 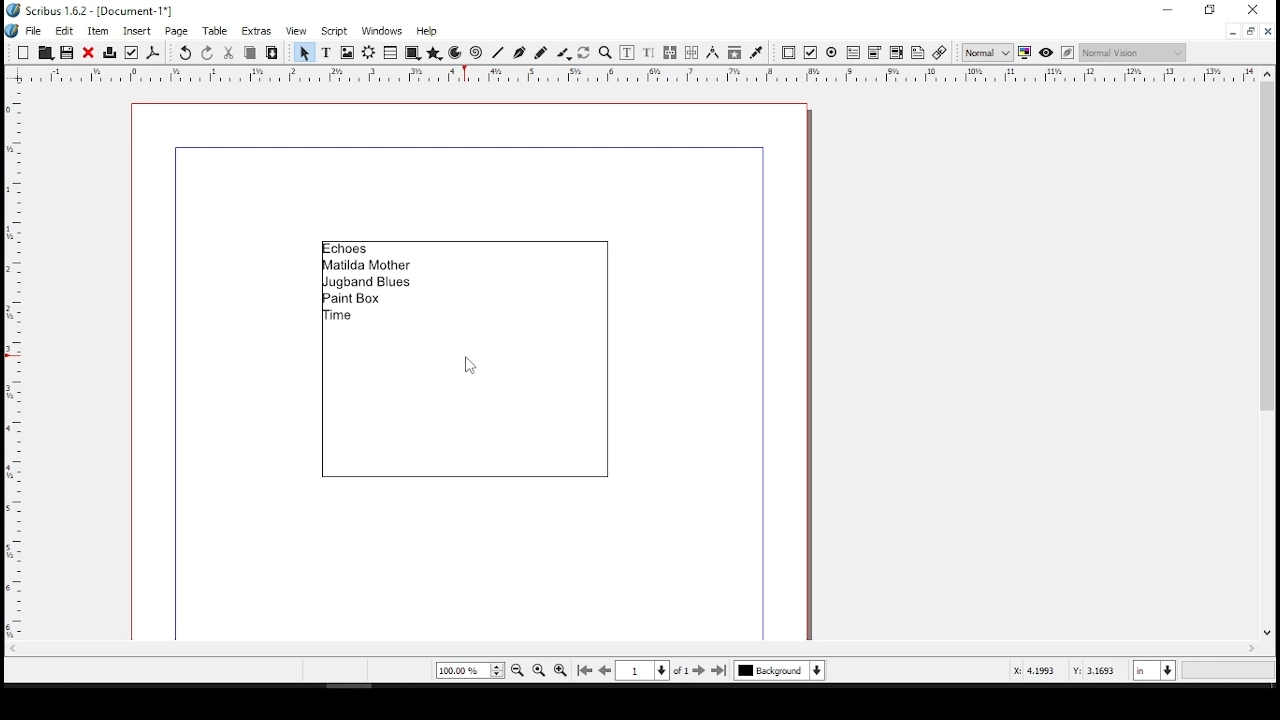 I want to click on table, so click(x=218, y=31).